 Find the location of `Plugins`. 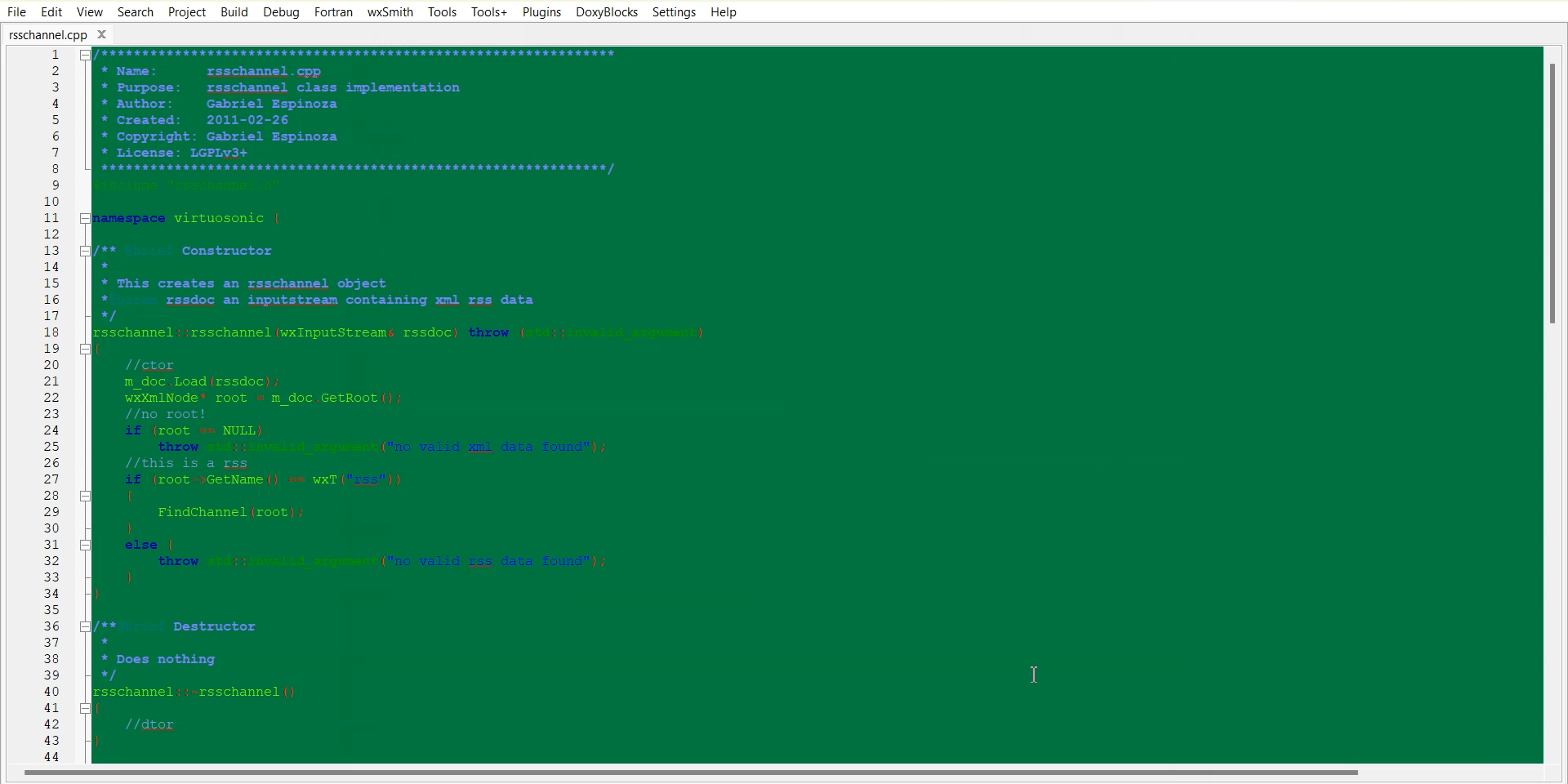

Plugins is located at coordinates (541, 11).